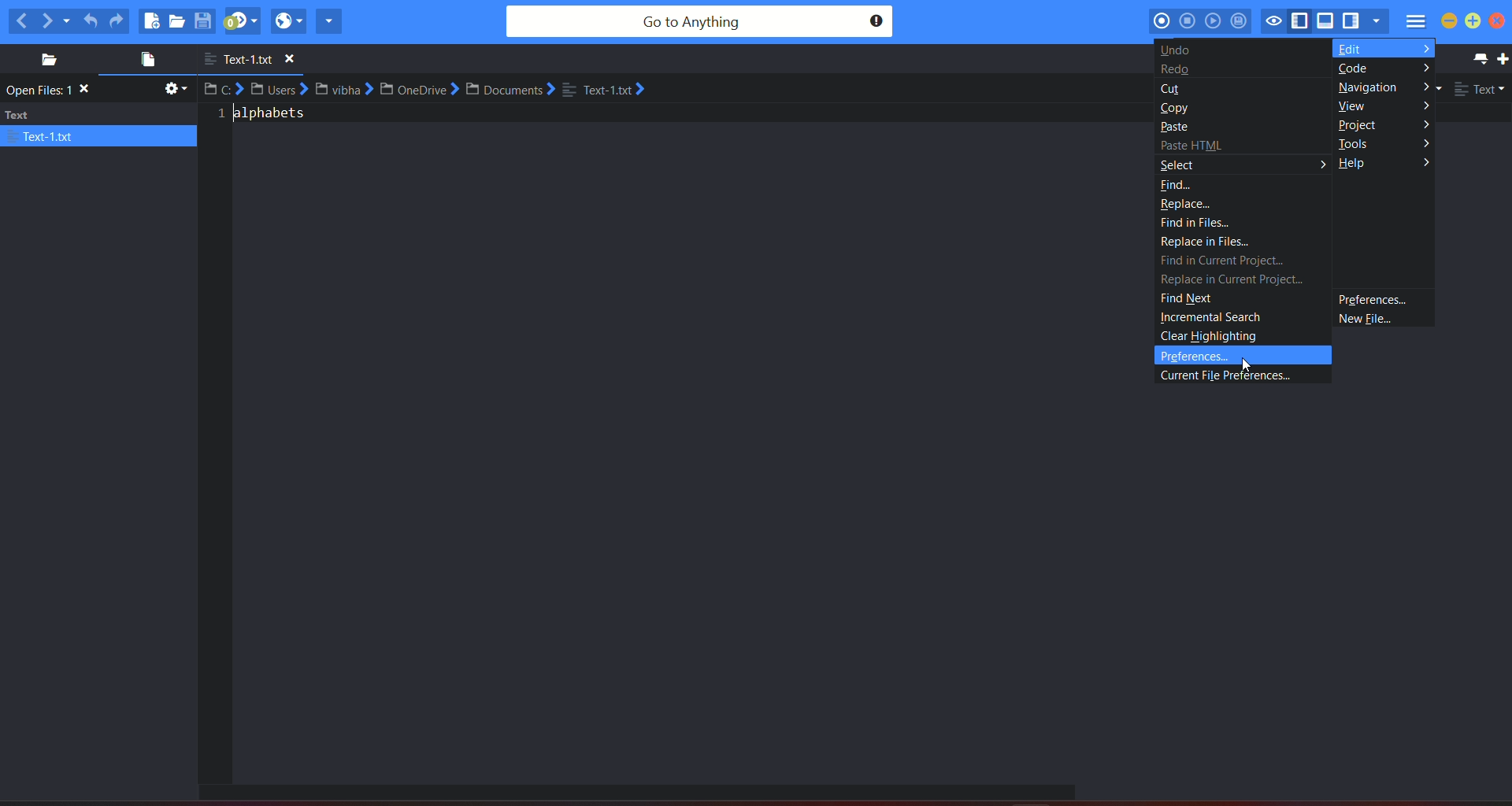  Describe the element at coordinates (1423, 109) in the screenshot. I see `arrows` at that location.